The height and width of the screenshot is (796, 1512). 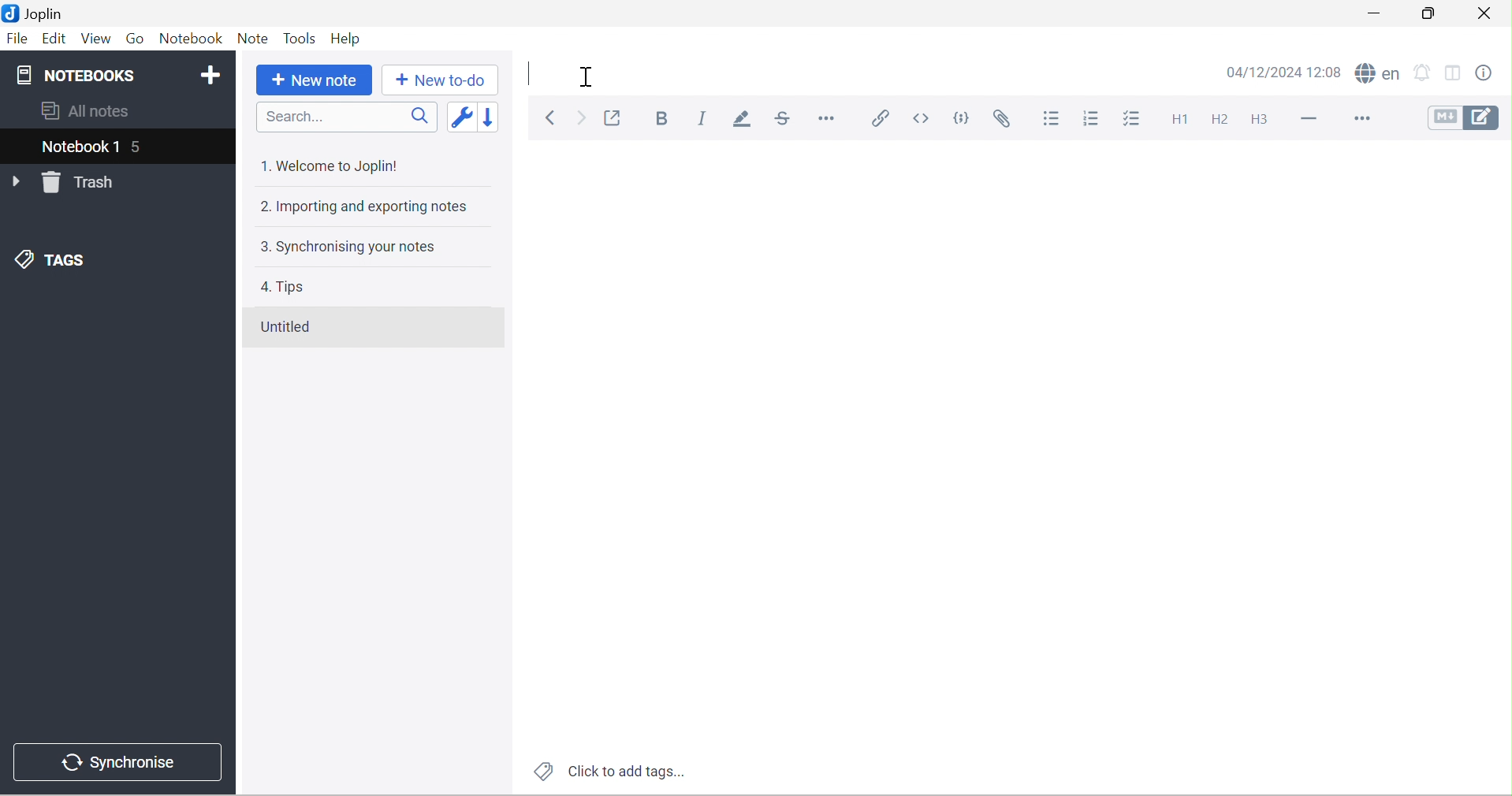 What do you see at coordinates (1432, 13) in the screenshot?
I see `Restore Down` at bounding box center [1432, 13].